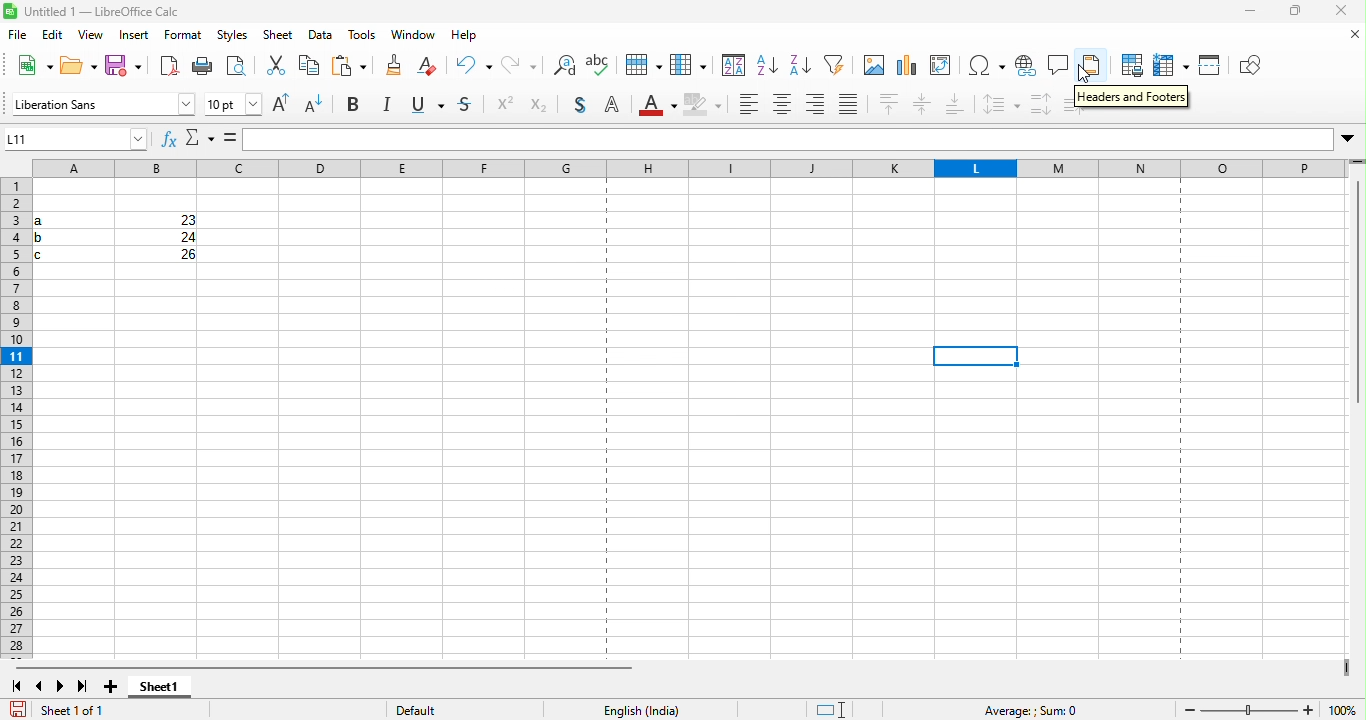 This screenshot has height=720, width=1366. Describe the element at coordinates (1126, 66) in the screenshot. I see `print area` at that location.